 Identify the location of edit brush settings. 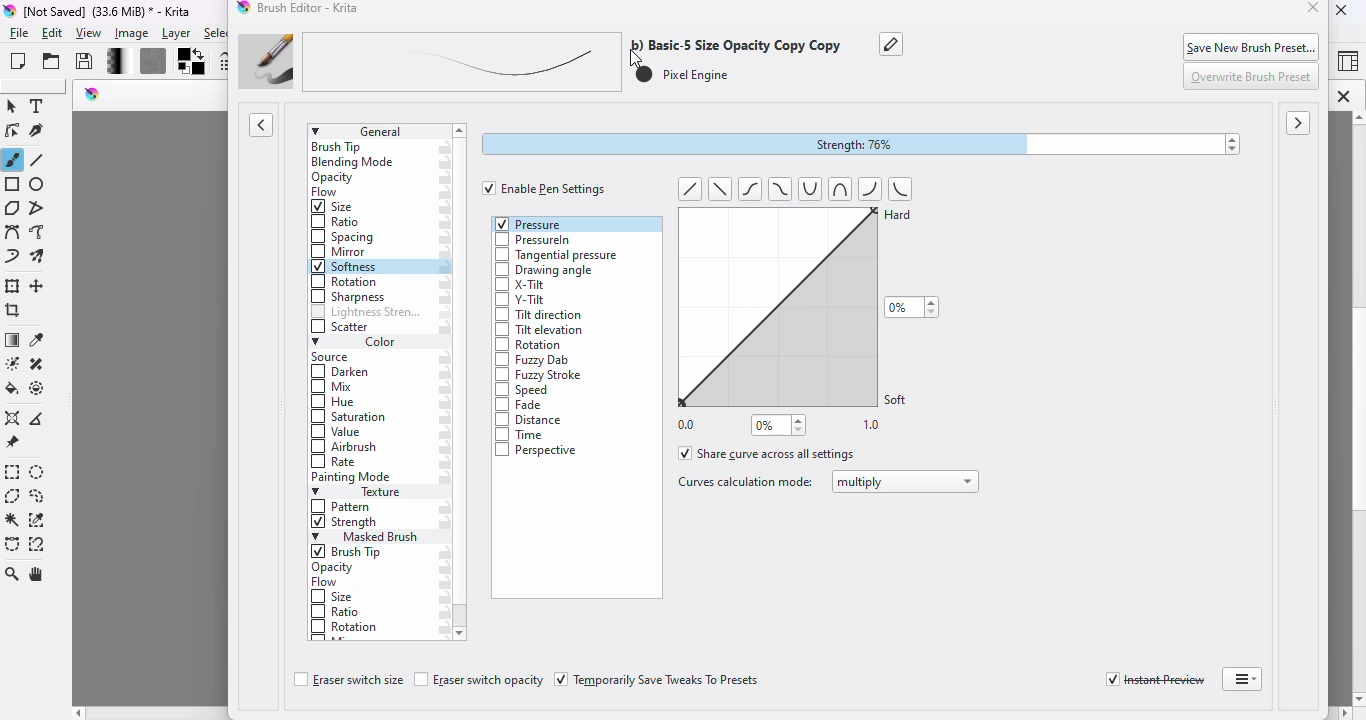
(224, 62).